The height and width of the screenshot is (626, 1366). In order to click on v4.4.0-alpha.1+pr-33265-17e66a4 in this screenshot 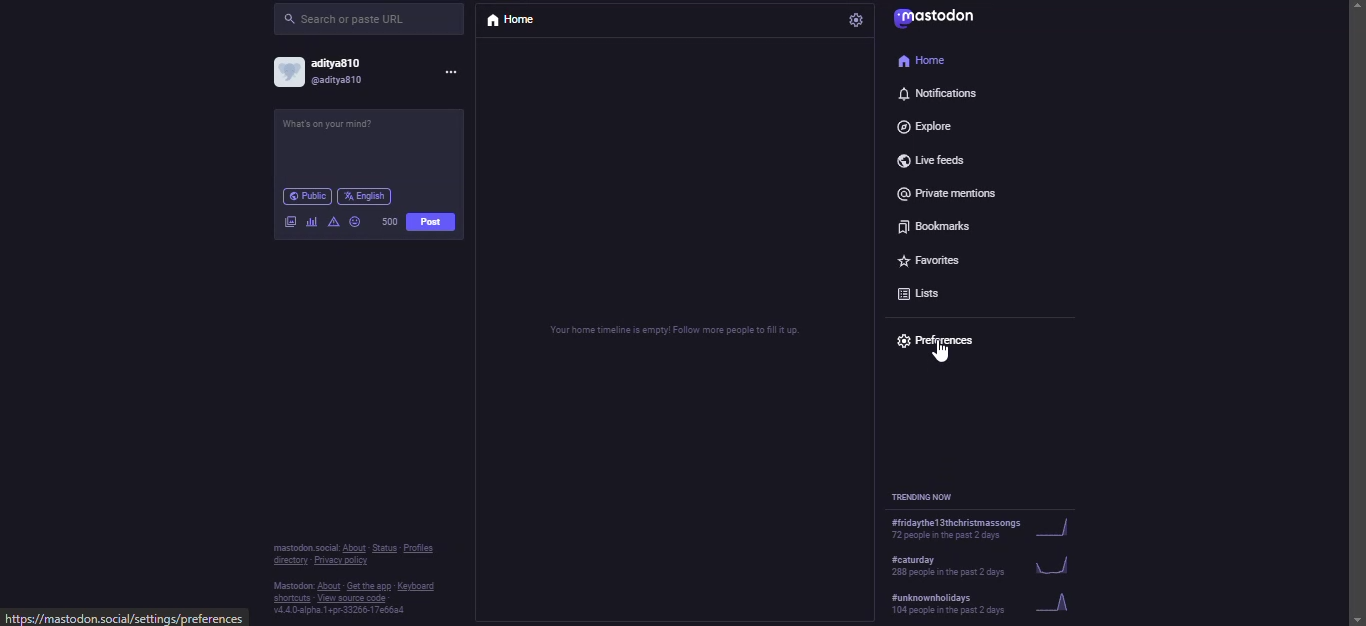, I will do `click(331, 612)`.